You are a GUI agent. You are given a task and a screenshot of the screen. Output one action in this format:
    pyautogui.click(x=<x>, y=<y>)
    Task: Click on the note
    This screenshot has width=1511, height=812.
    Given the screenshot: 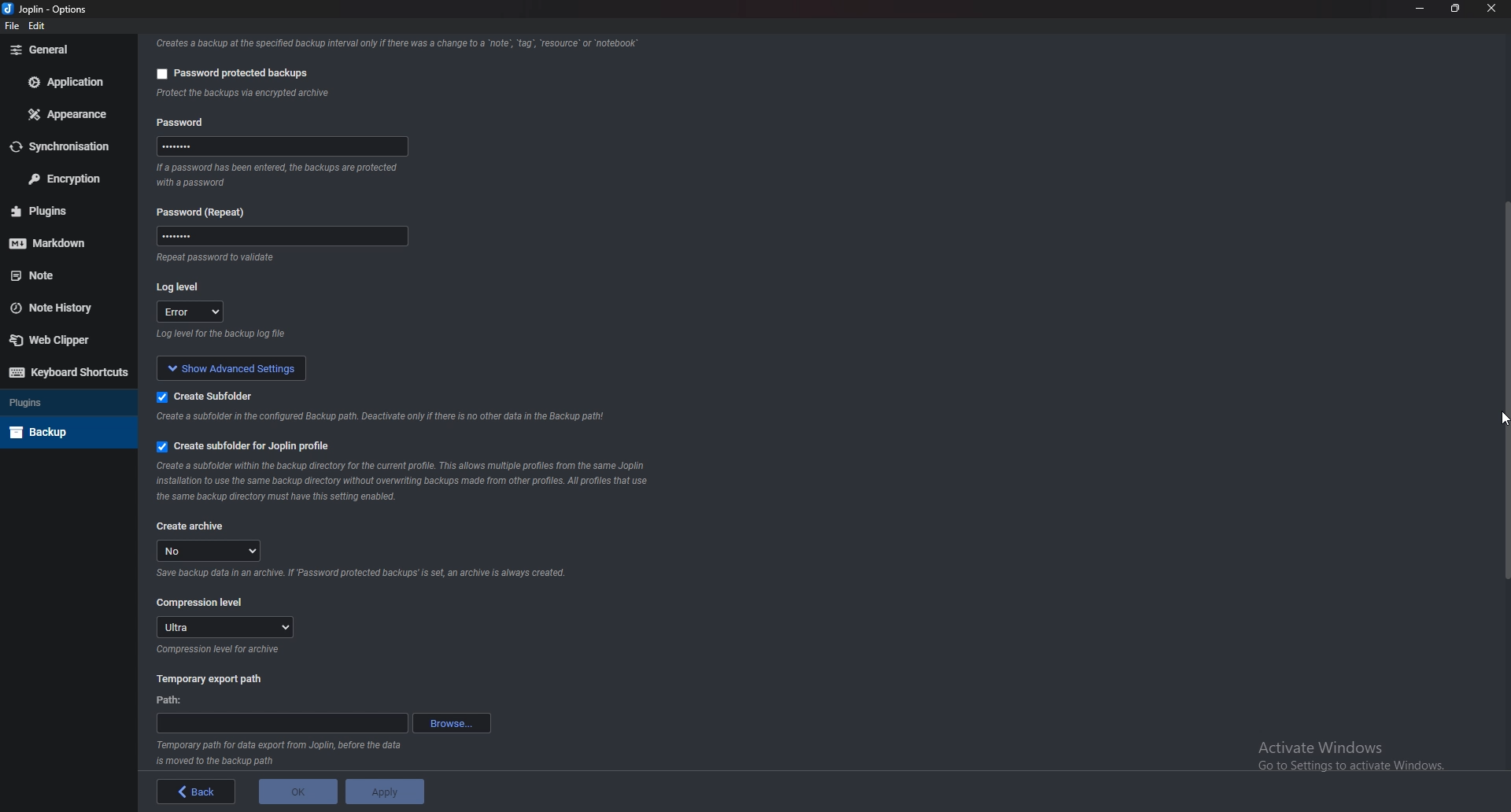 What is the action you would take?
    pyautogui.click(x=62, y=275)
    